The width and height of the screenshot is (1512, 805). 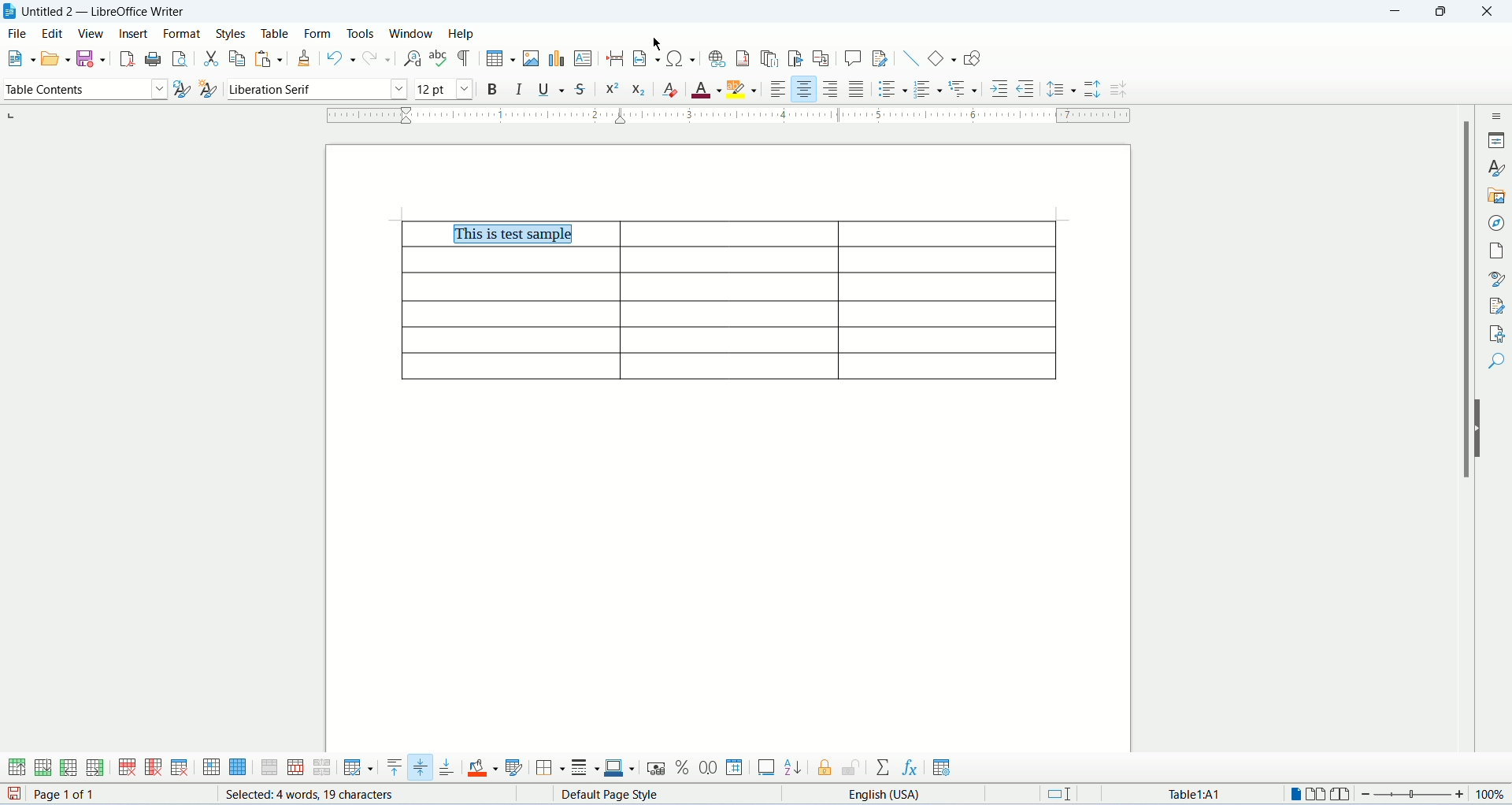 I want to click on split cells, so click(x=297, y=767).